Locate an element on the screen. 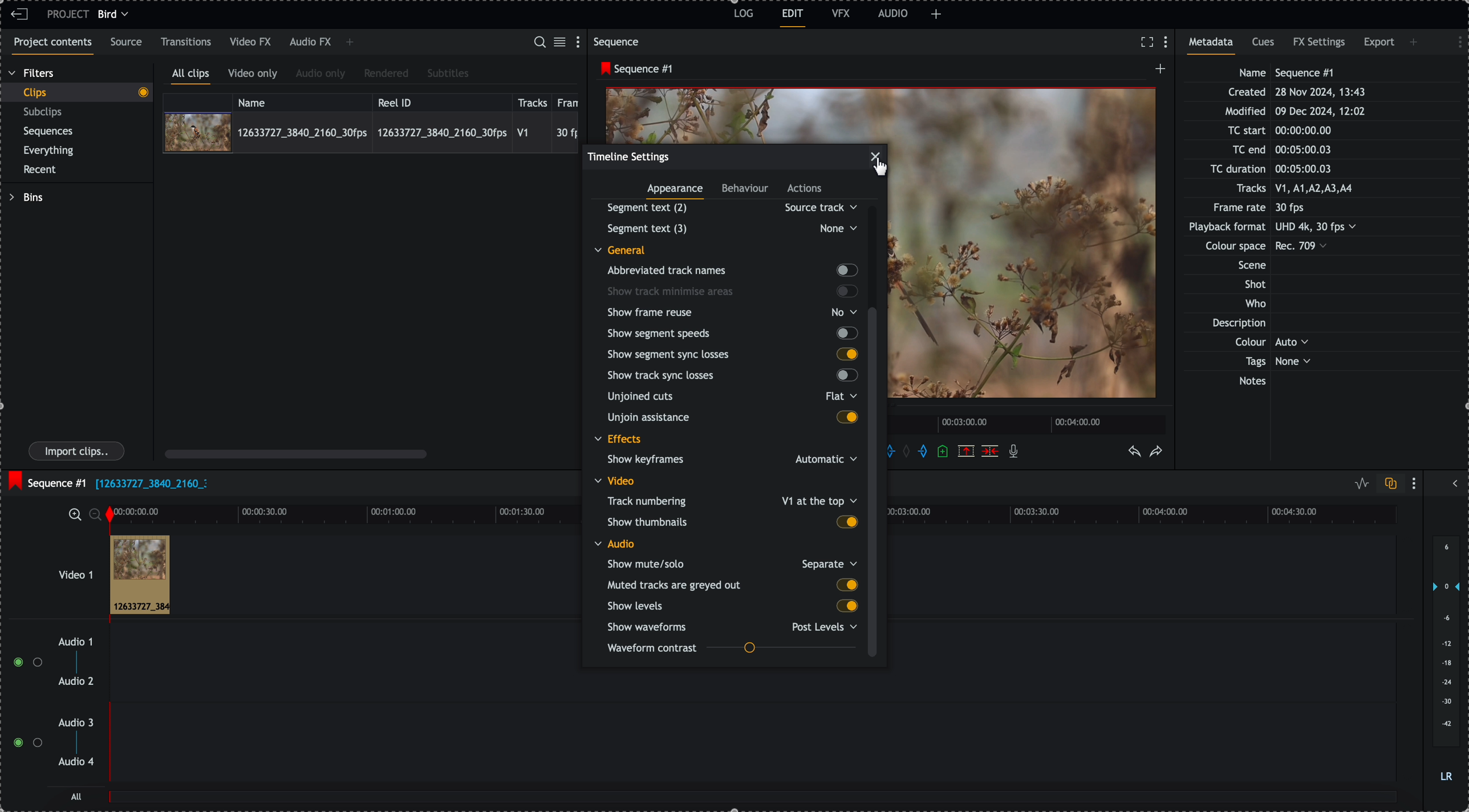 This screenshot has height=812, width=1469. waveform contrast is located at coordinates (732, 649).